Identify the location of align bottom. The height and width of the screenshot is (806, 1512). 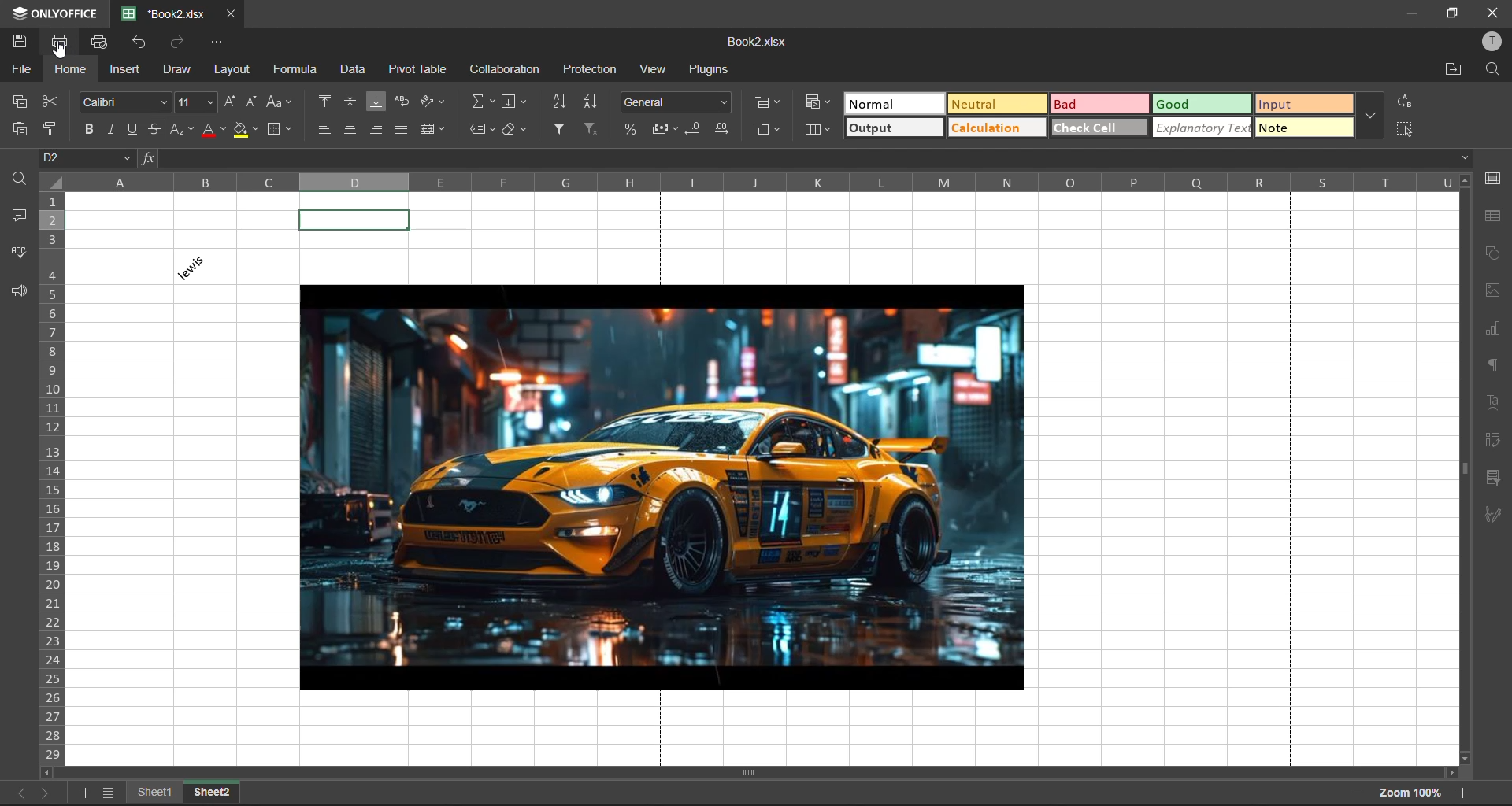
(376, 100).